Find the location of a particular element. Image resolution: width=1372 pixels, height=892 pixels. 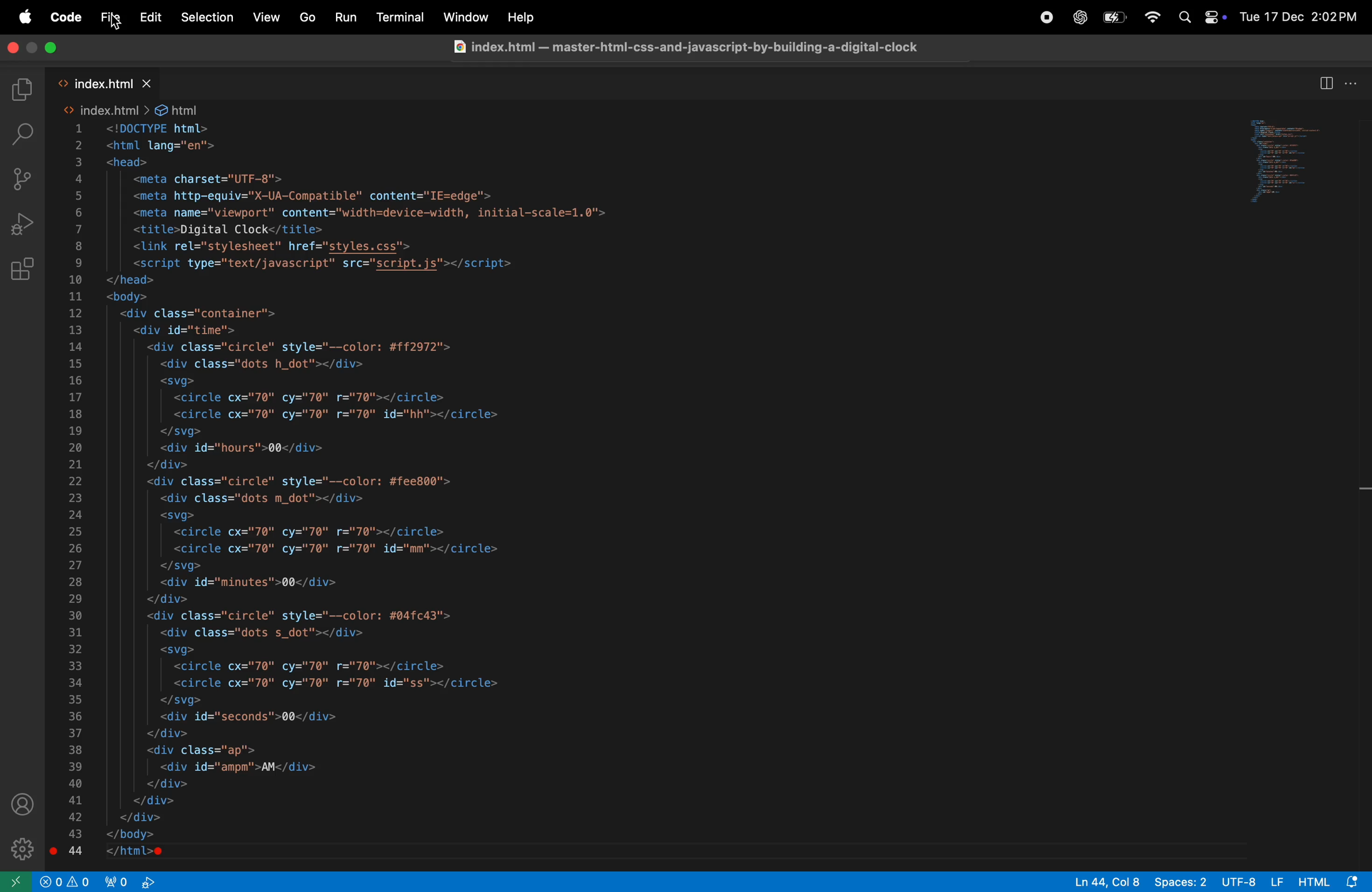

views is located at coordinates (265, 17).